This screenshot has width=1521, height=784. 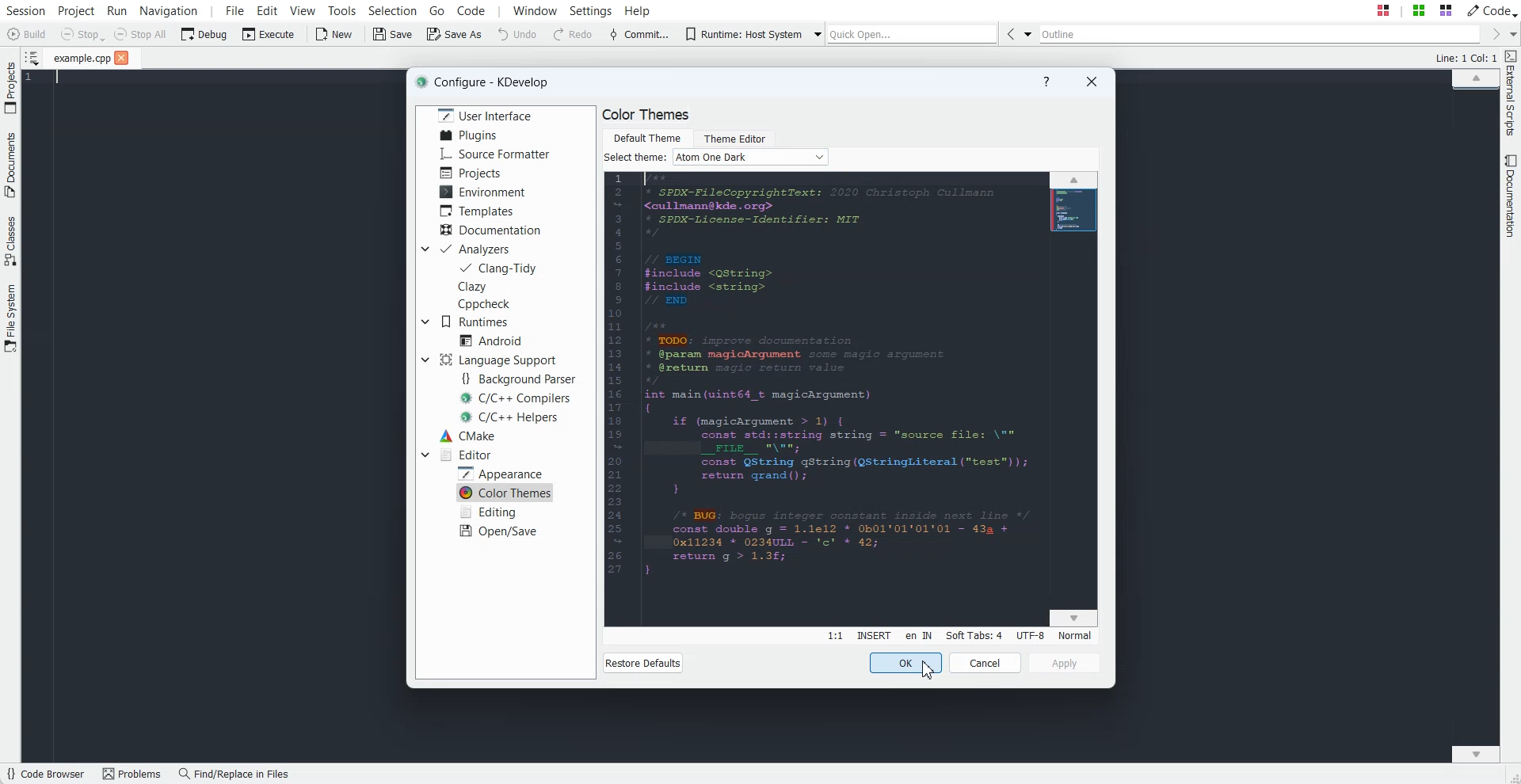 I want to click on Drop down box, so click(x=1027, y=33).